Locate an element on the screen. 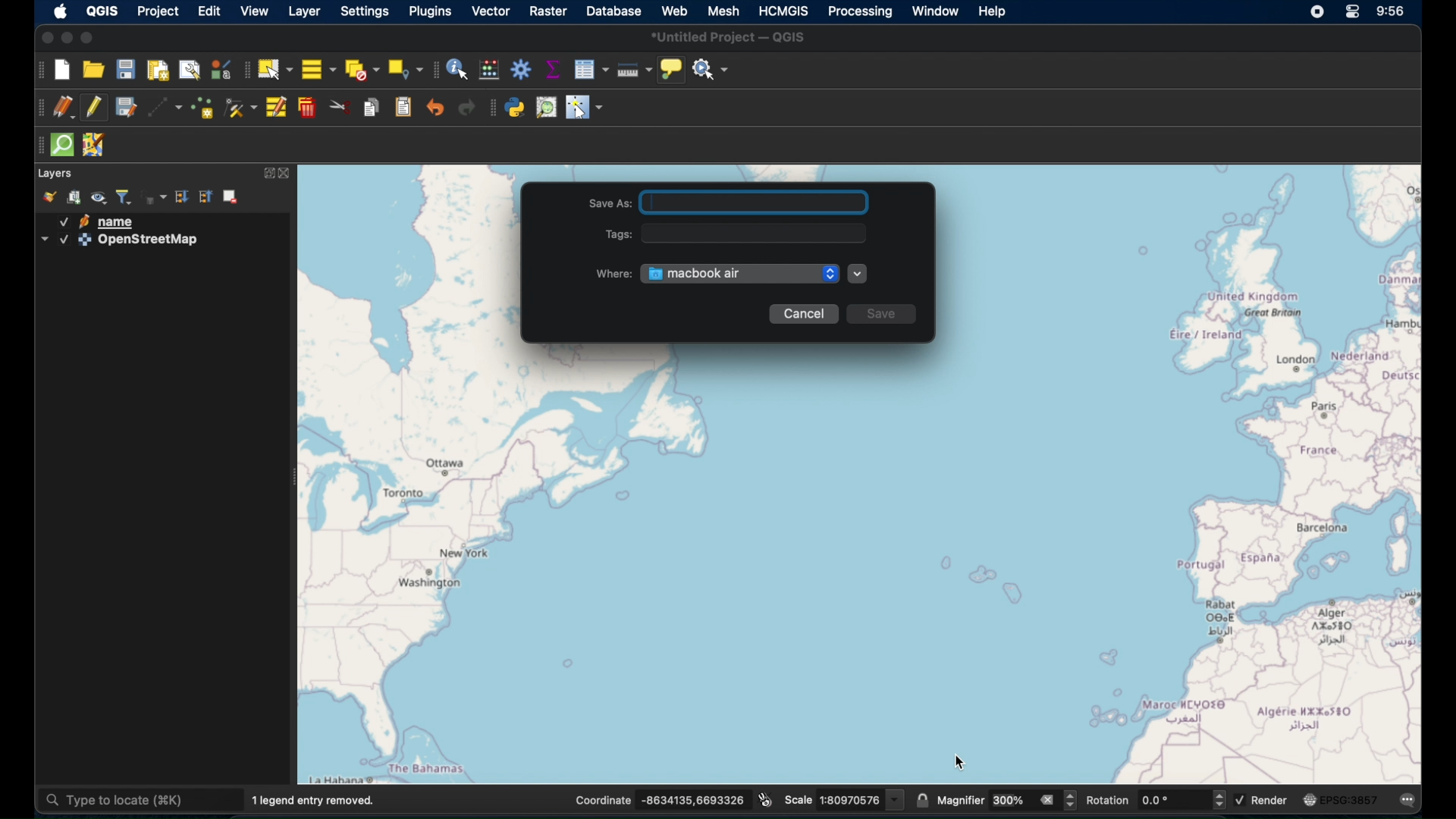 Image resolution: width=1456 pixels, height=819 pixels. select by location is located at coordinates (405, 70).